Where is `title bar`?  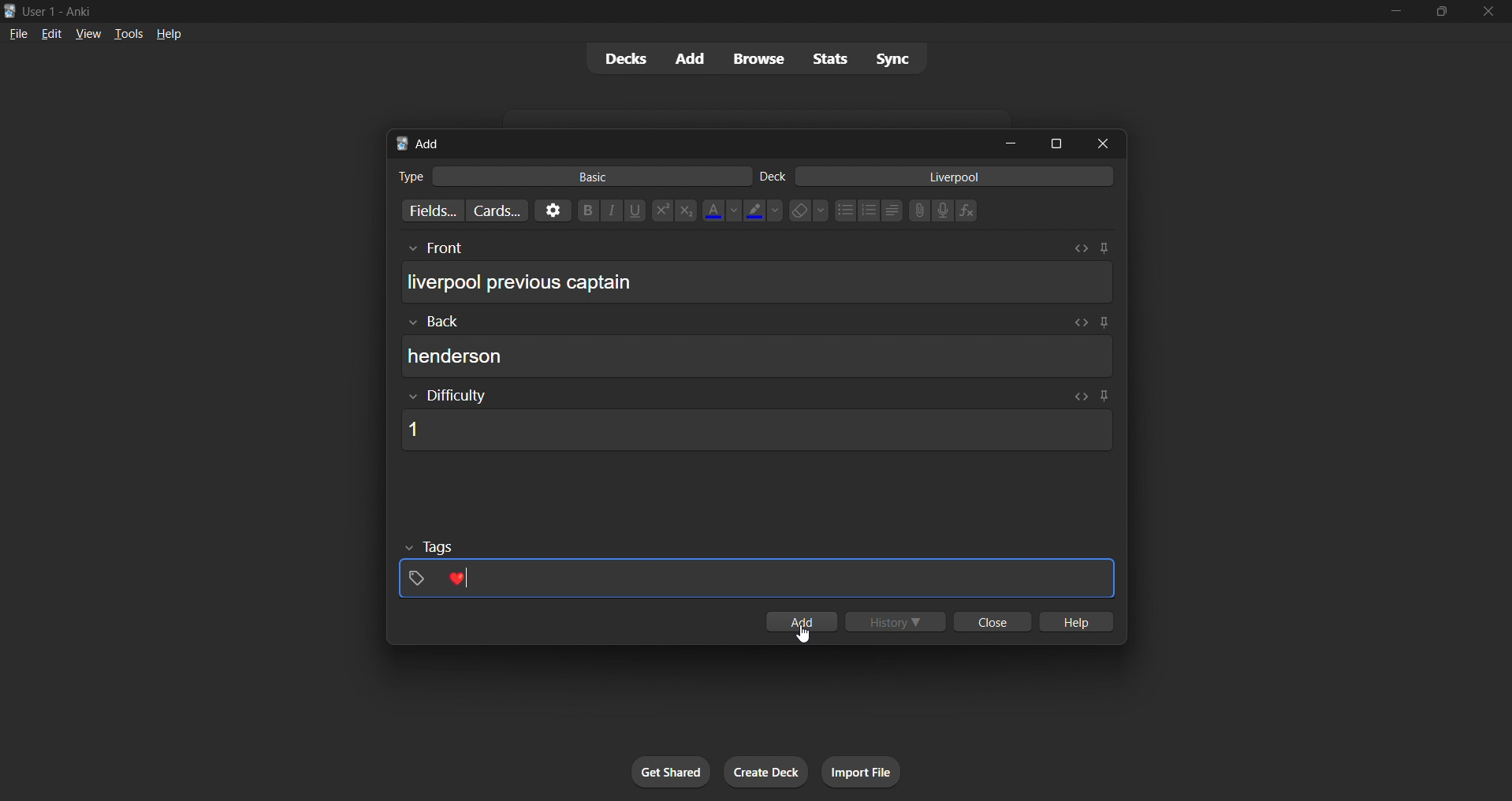 title bar is located at coordinates (681, 9).